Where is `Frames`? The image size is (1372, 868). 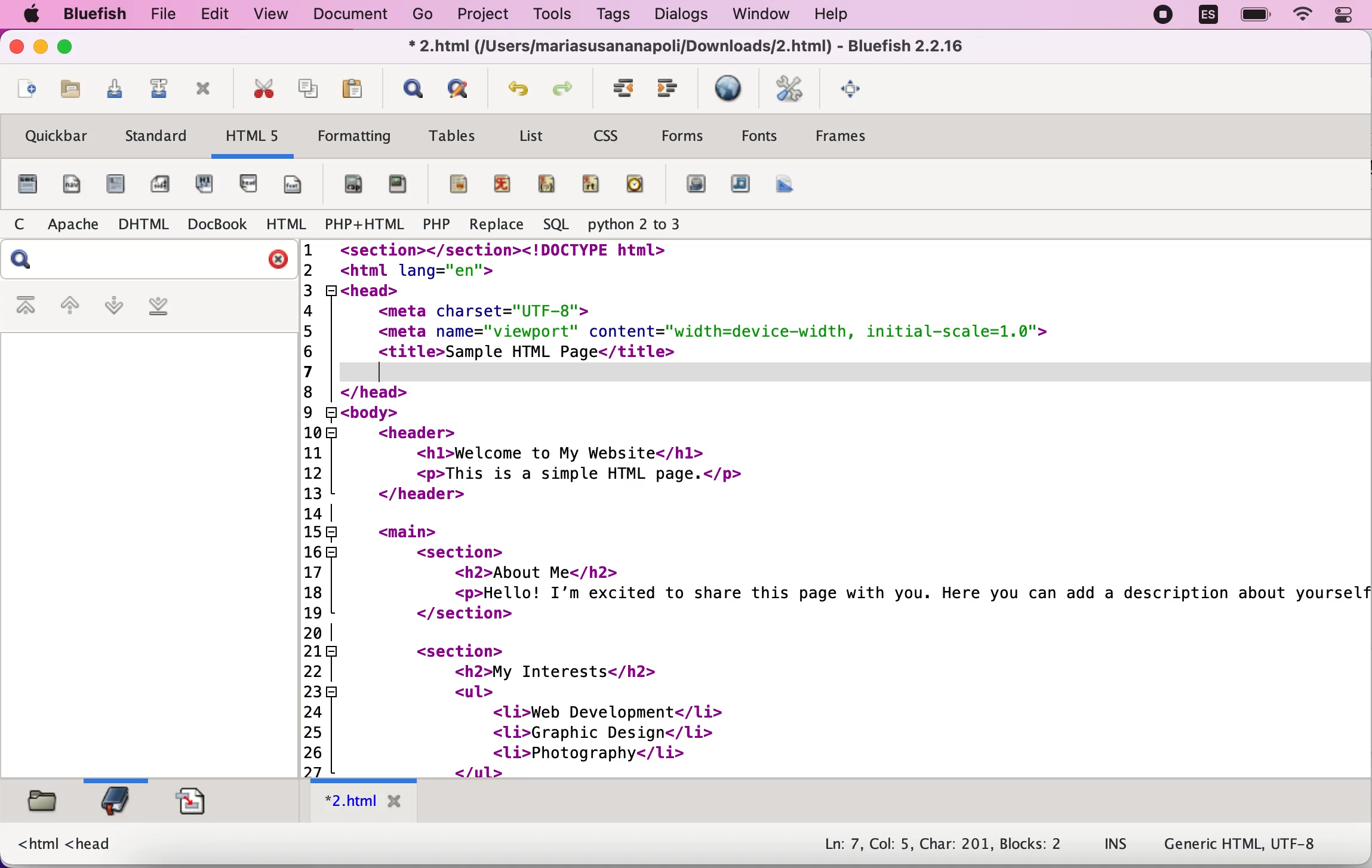 Frames is located at coordinates (842, 141).